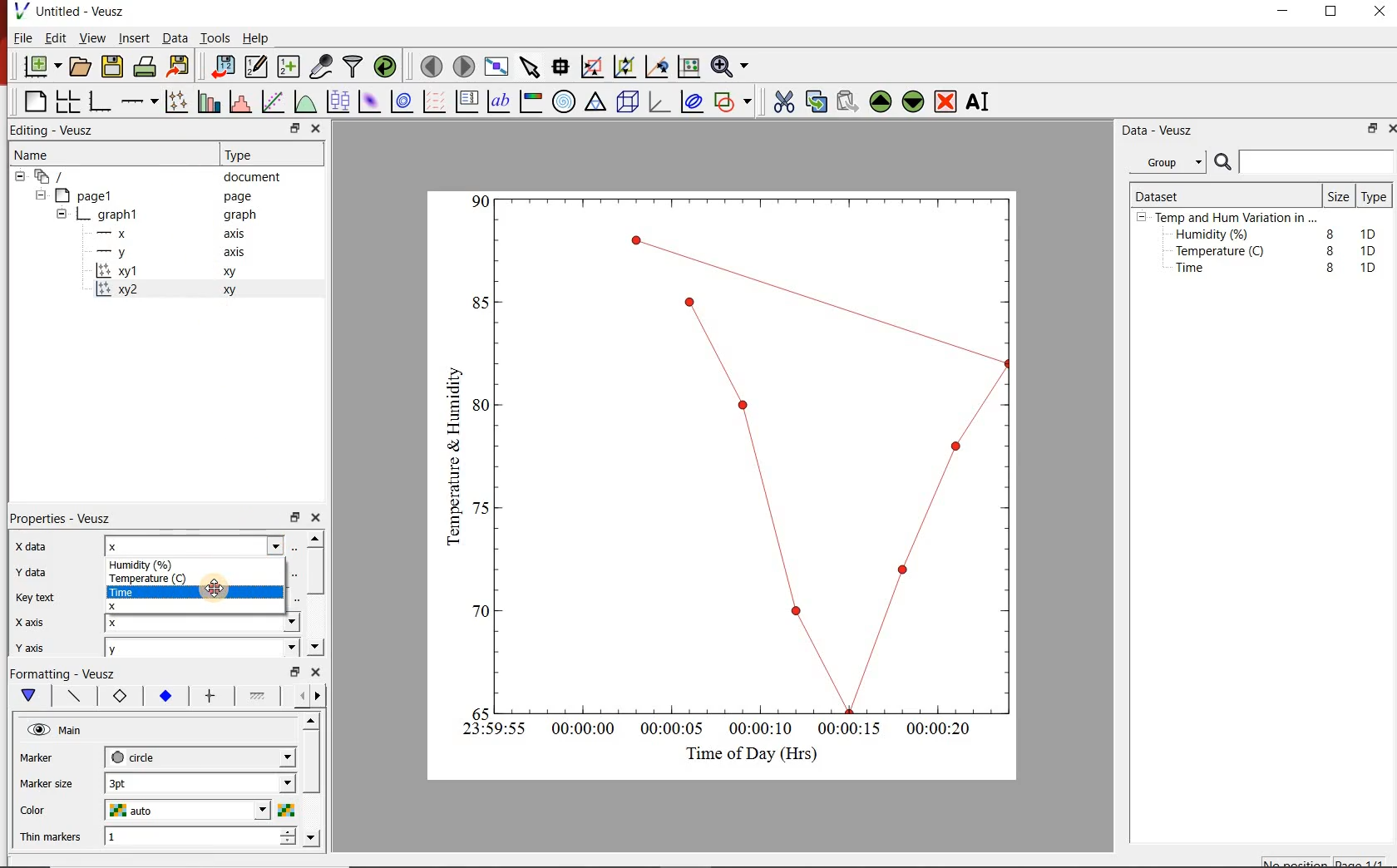 The image size is (1397, 868). I want to click on Export to graphics format, so click(180, 66).